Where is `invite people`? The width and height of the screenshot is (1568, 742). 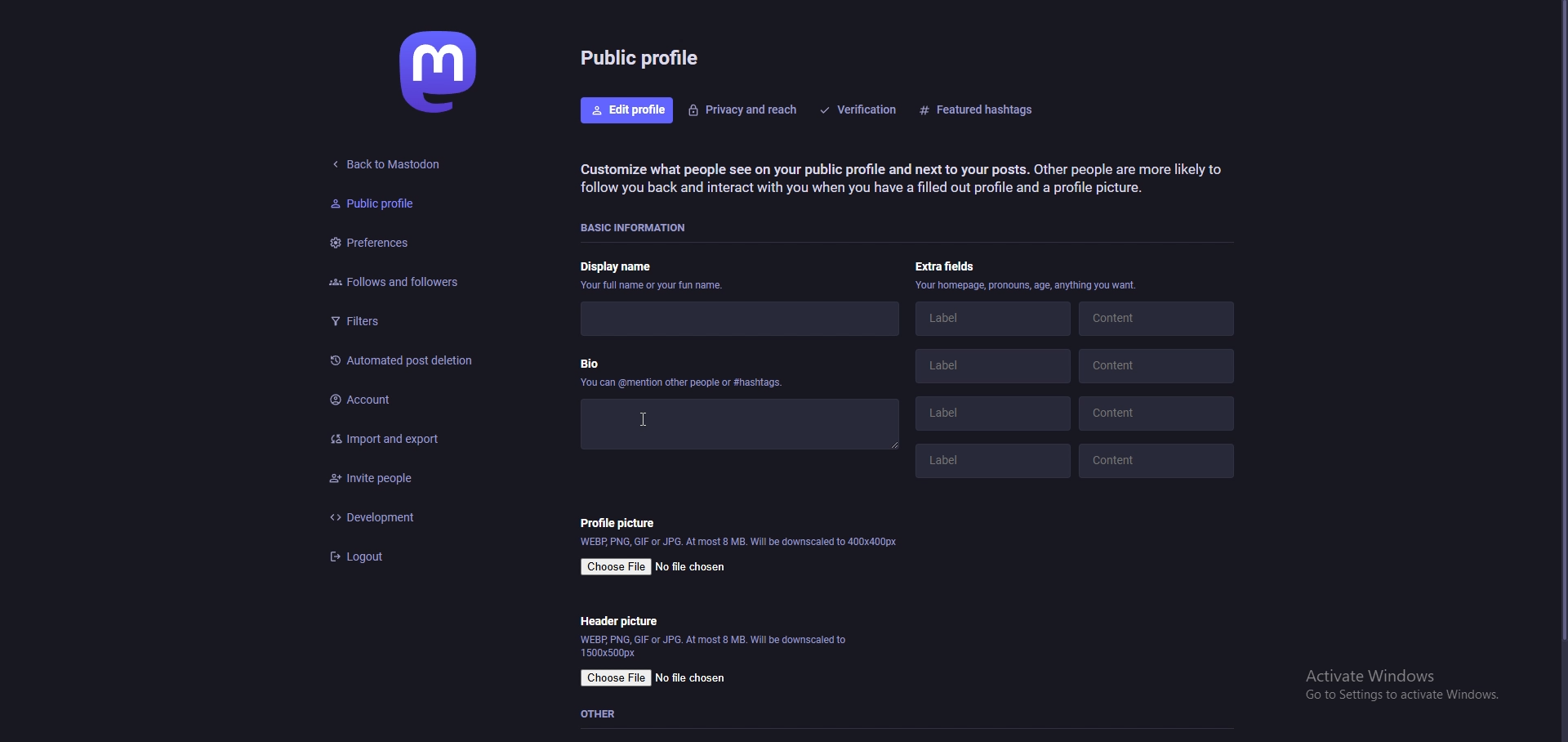 invite people is located at coordinates (405, 477).